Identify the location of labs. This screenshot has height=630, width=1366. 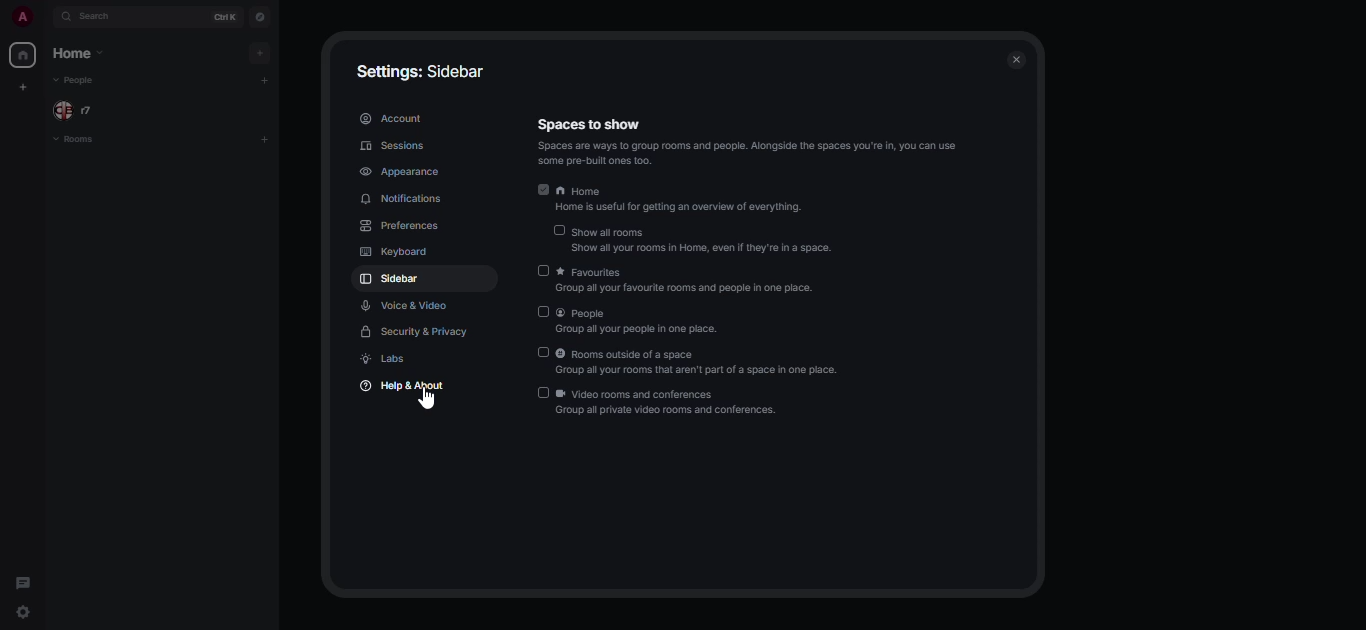
(381, 359).